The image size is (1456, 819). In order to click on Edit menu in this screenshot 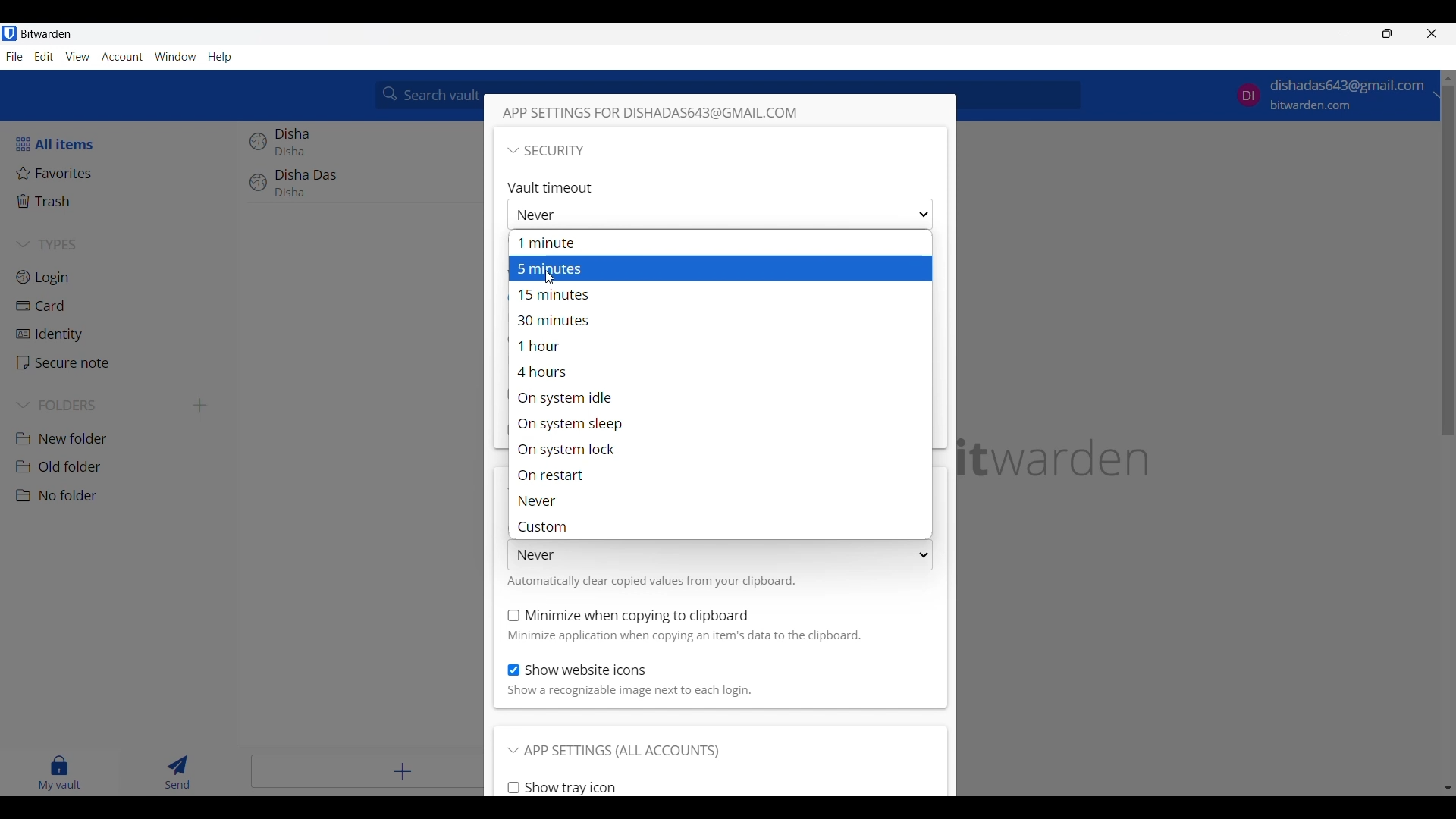, I will do `click(44, 56)`.